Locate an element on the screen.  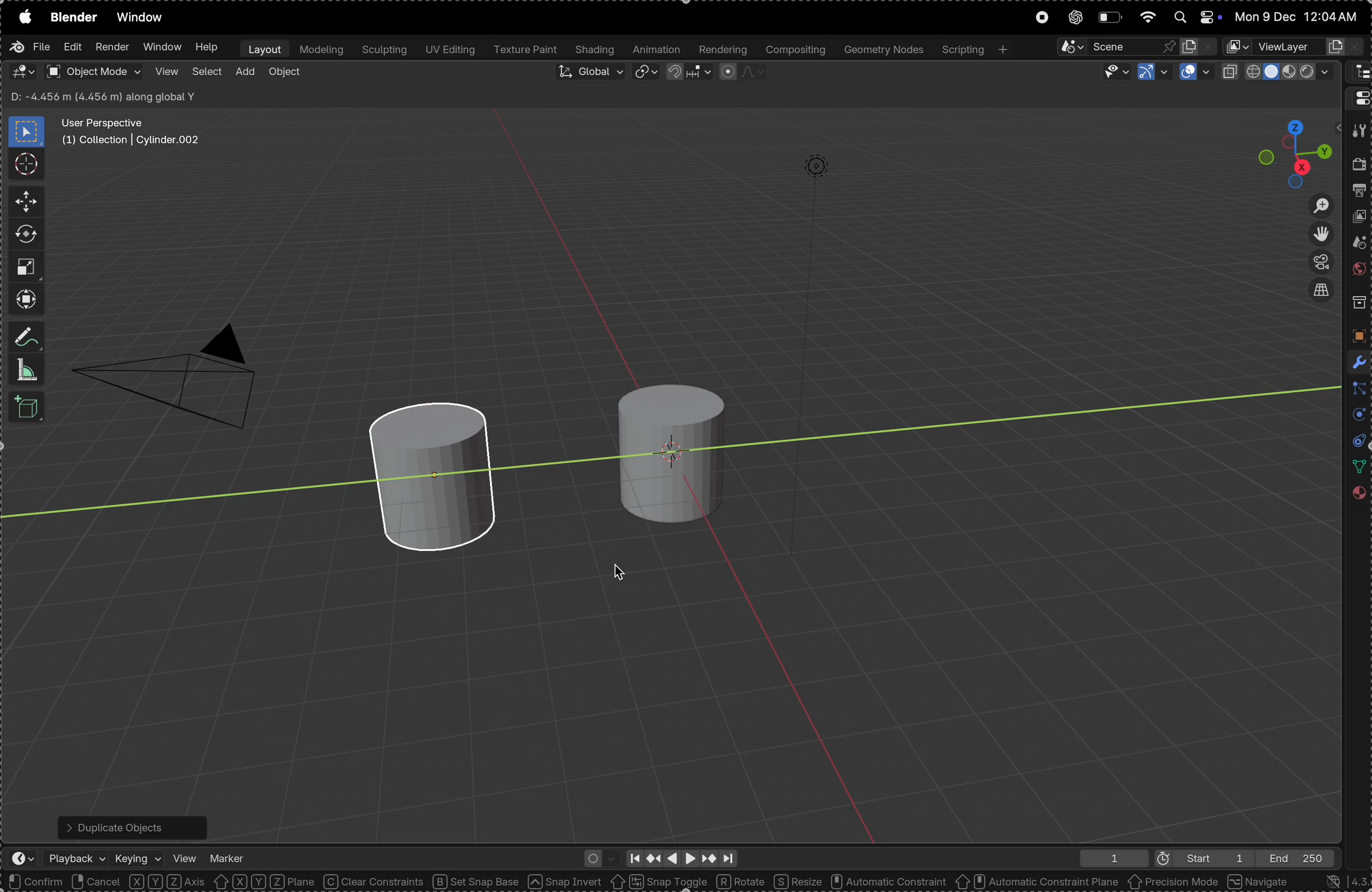
Window is located at coordinates (144, 18).